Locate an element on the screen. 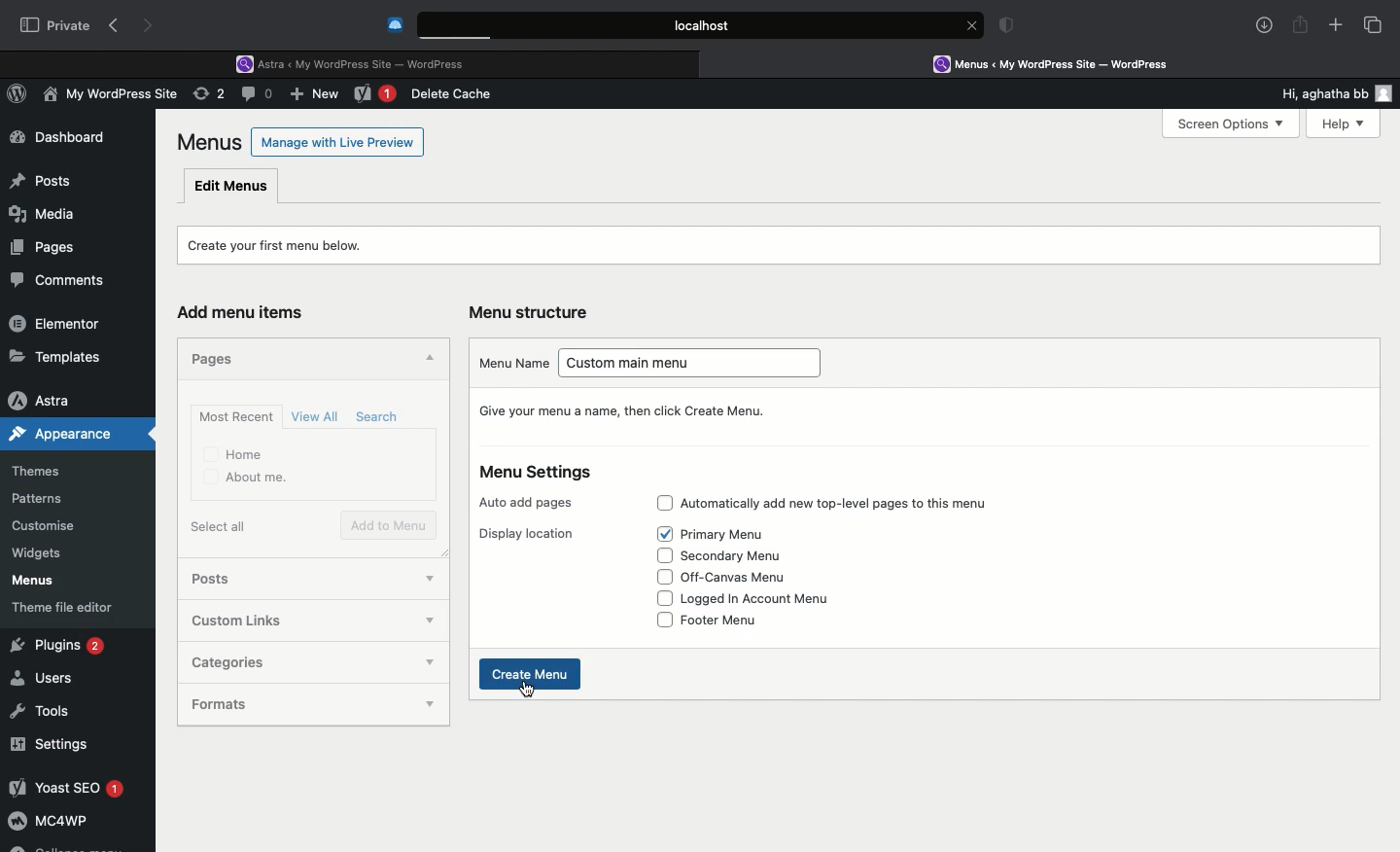 This screenshot has height=852, width=1400. Add menu items is located at coordinates (249, 313).